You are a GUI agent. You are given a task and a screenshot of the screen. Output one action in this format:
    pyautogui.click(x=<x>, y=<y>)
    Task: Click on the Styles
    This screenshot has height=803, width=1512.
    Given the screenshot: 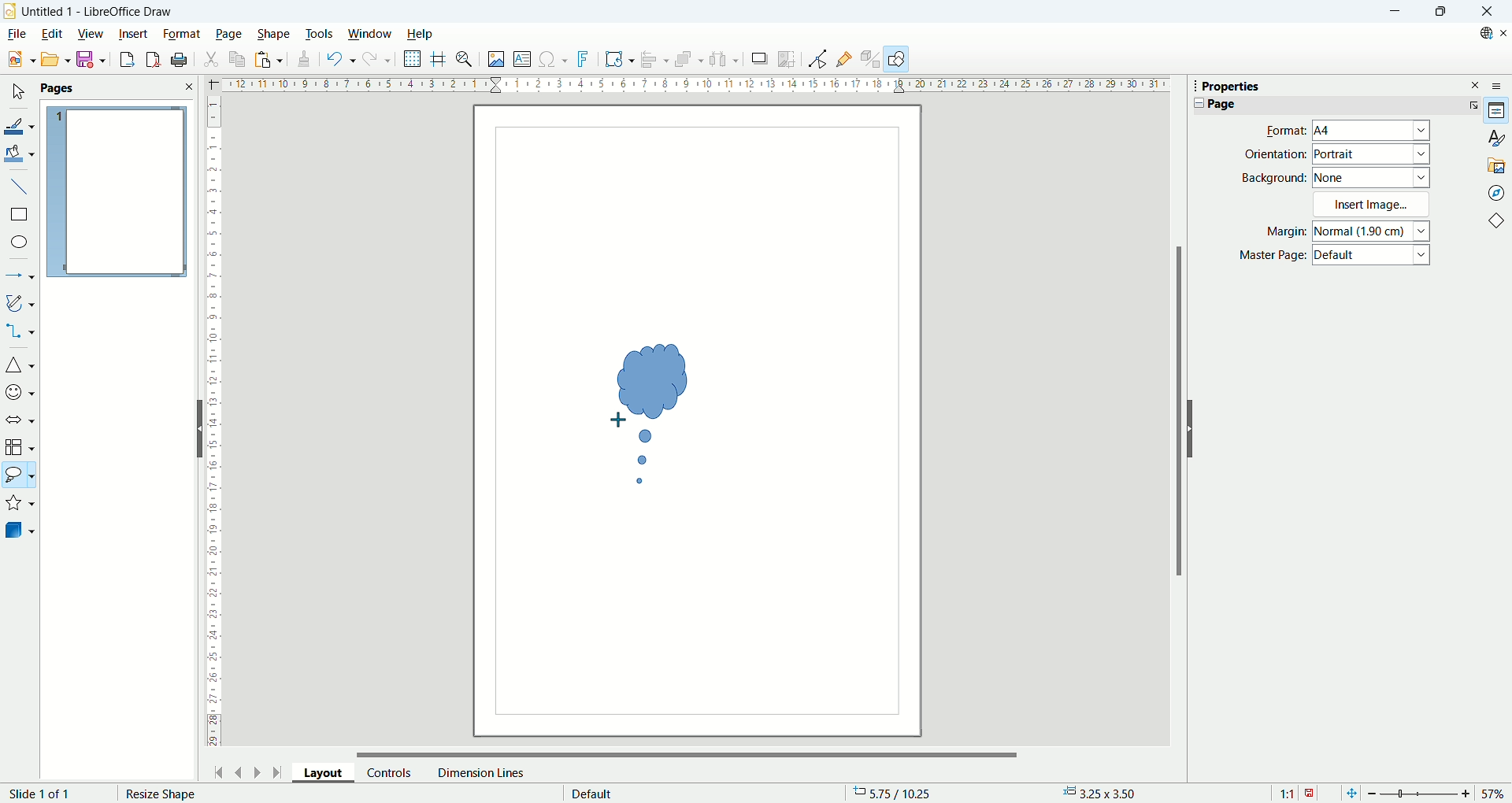 What is the action you would take?
    pyautogui.click(x=1496, y=138)
    